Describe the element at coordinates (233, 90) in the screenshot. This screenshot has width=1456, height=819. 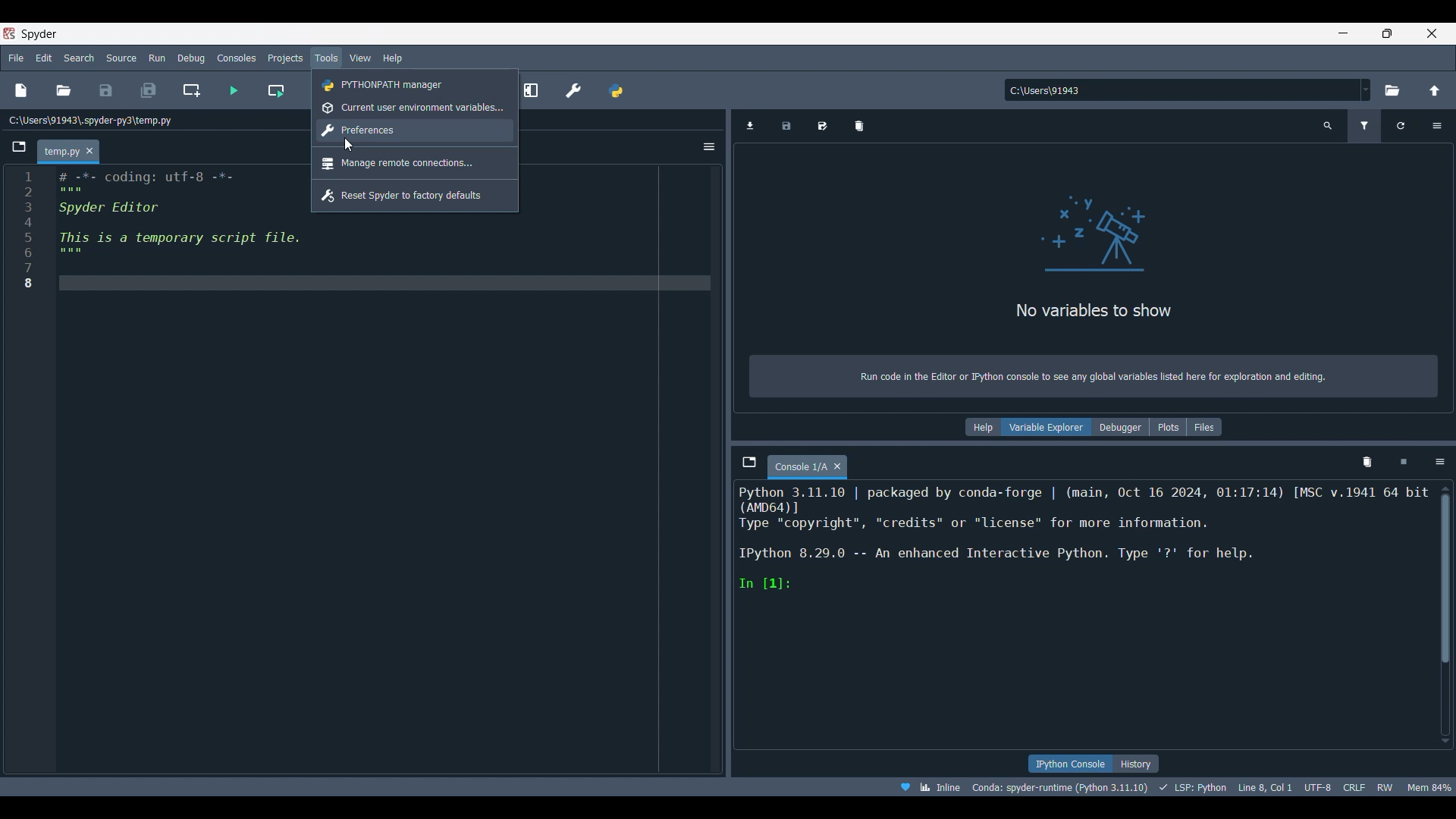
I see `Run file` at that location.